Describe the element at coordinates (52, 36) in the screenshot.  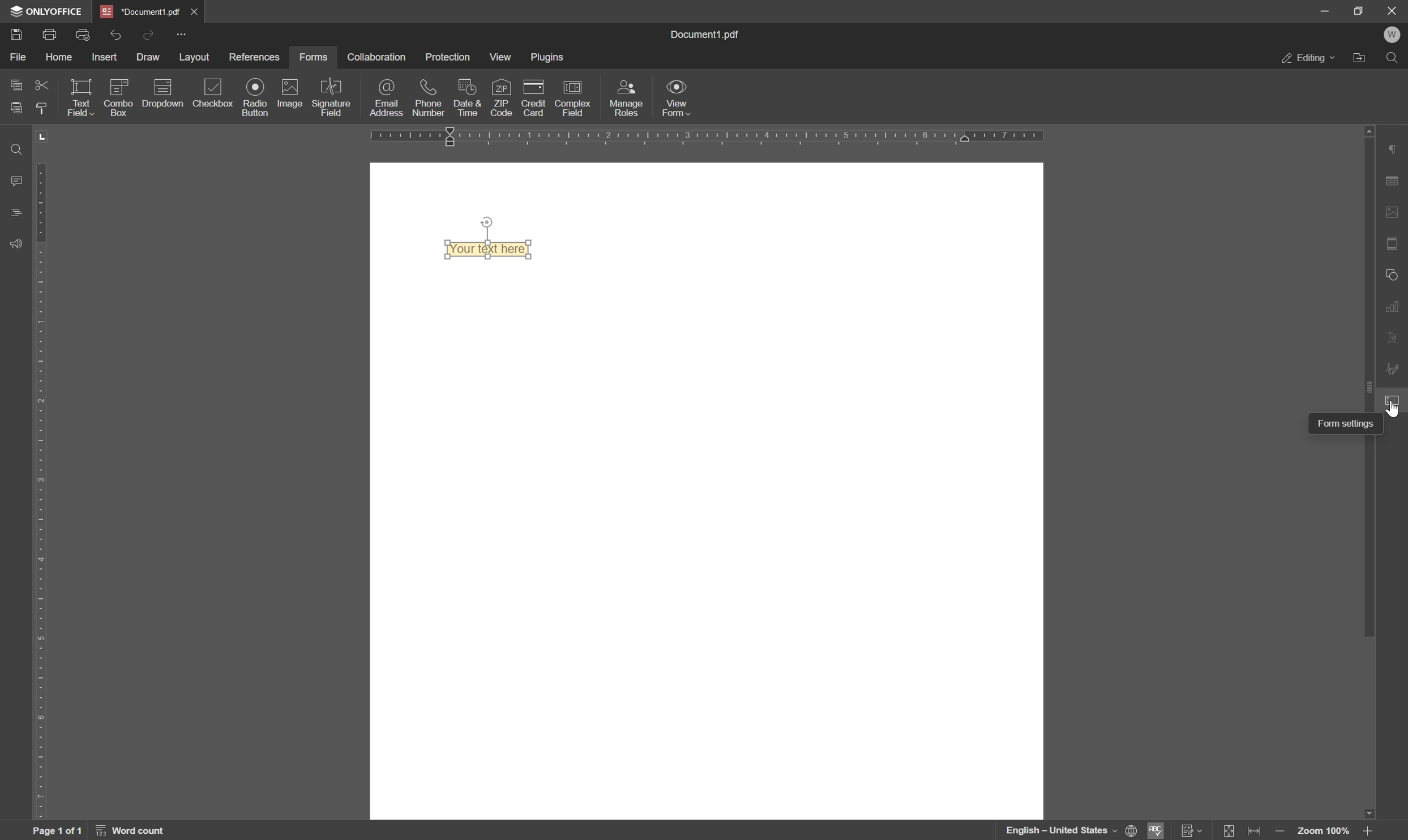
I see `print` at that location.